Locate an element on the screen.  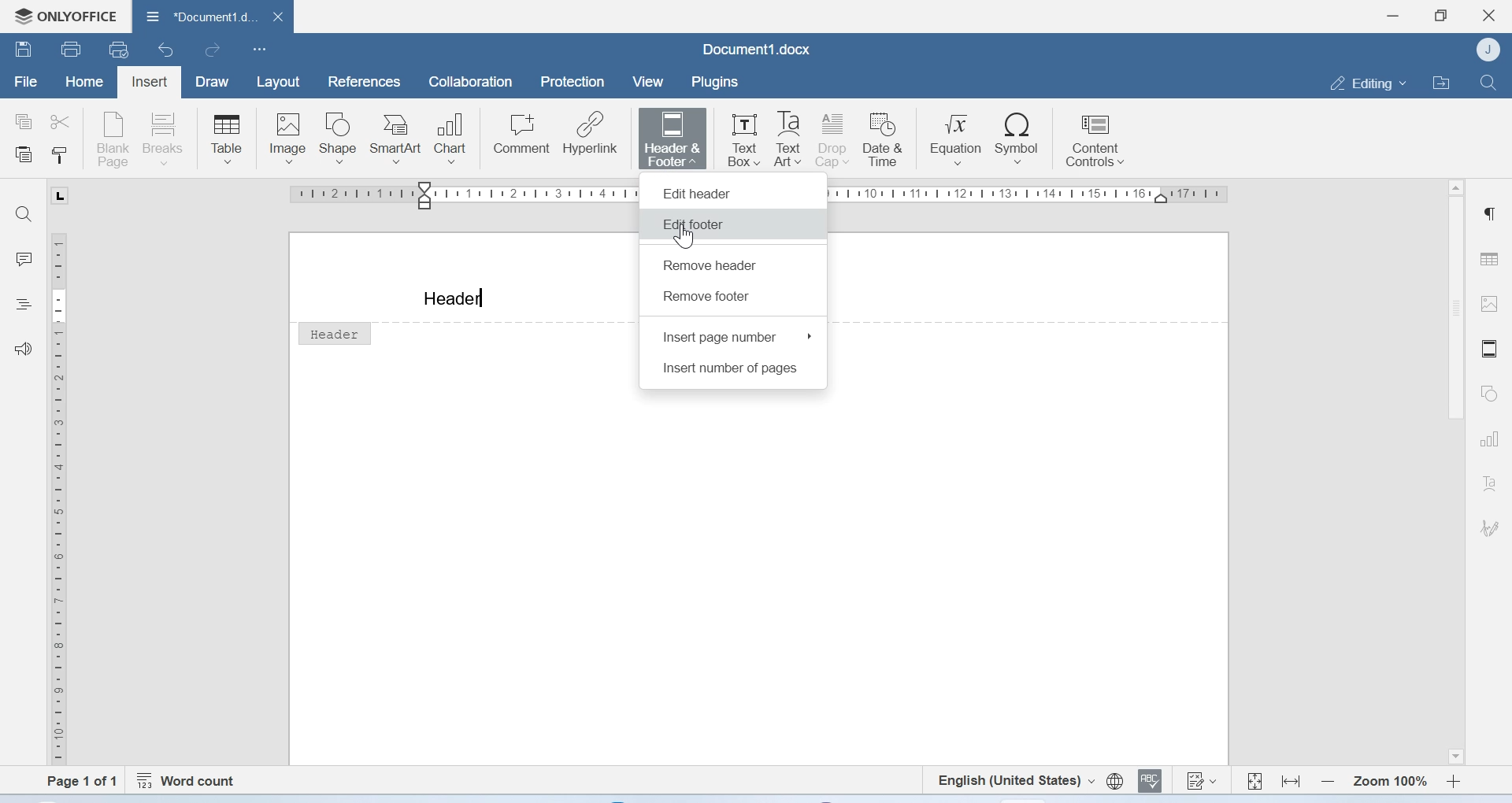
Save is located at coordinates (24, 51).